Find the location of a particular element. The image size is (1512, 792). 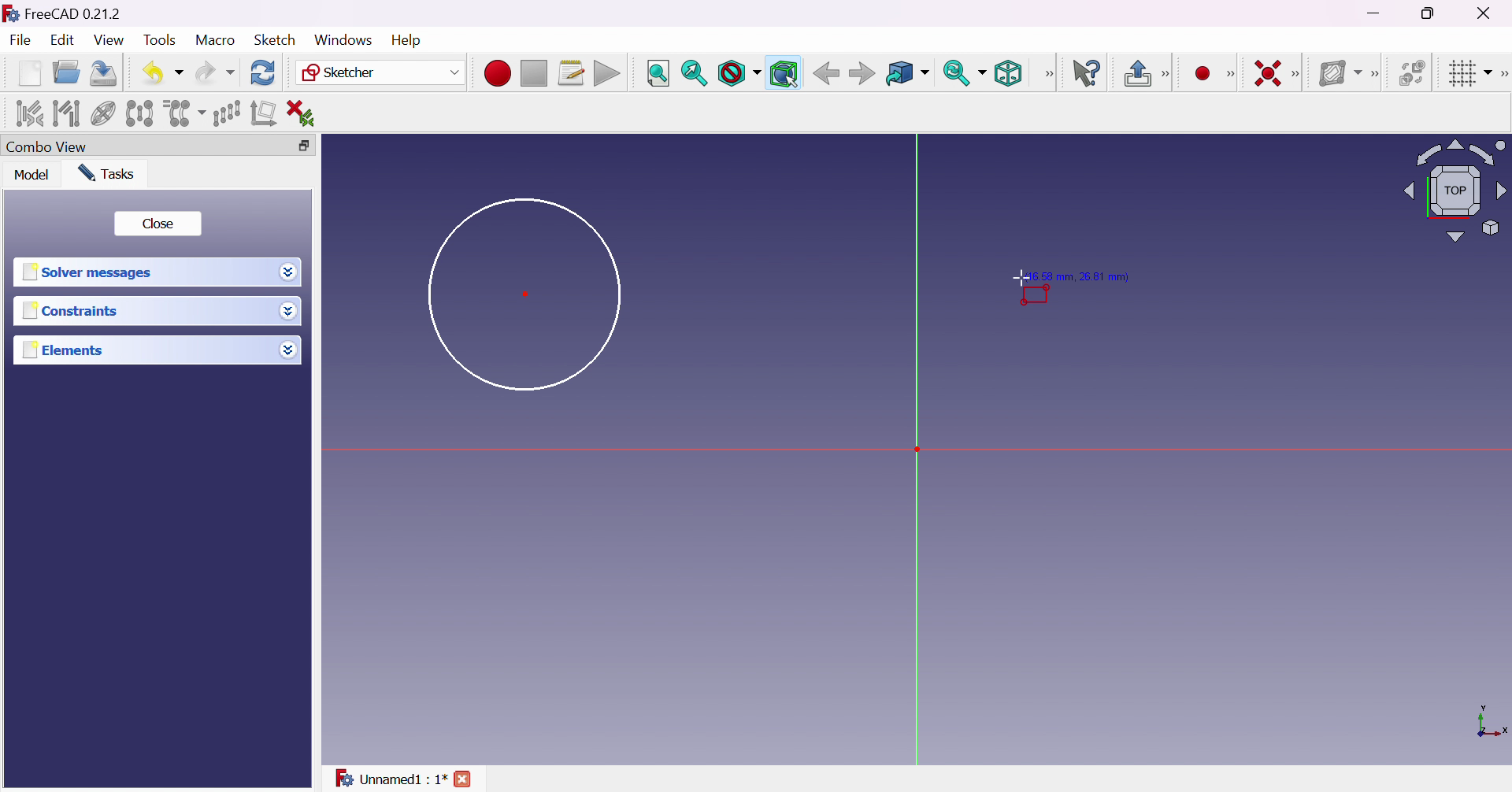

Model is located at coordinates (31, 175).